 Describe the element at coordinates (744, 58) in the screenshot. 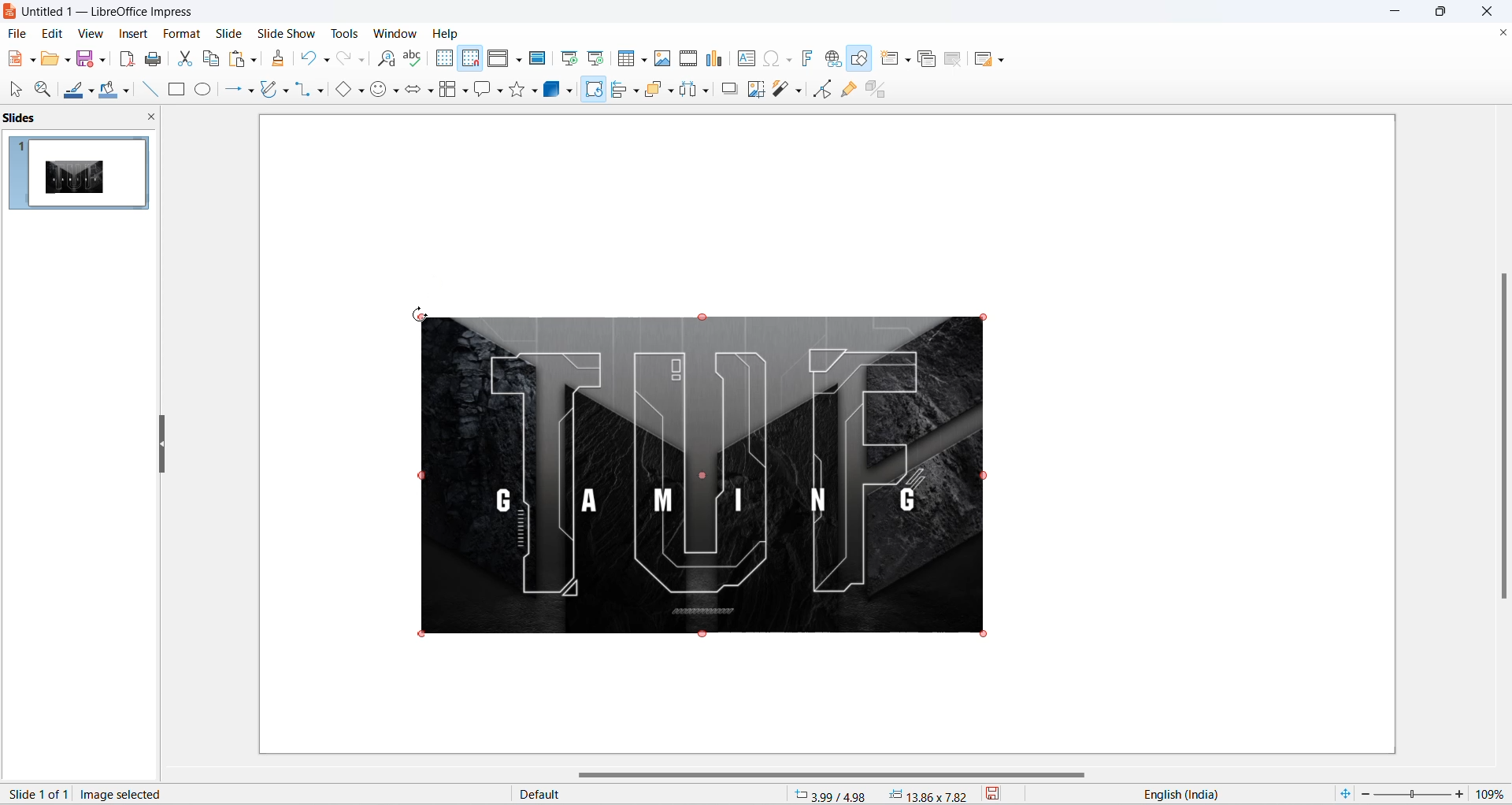

I see `insert text` at that location.